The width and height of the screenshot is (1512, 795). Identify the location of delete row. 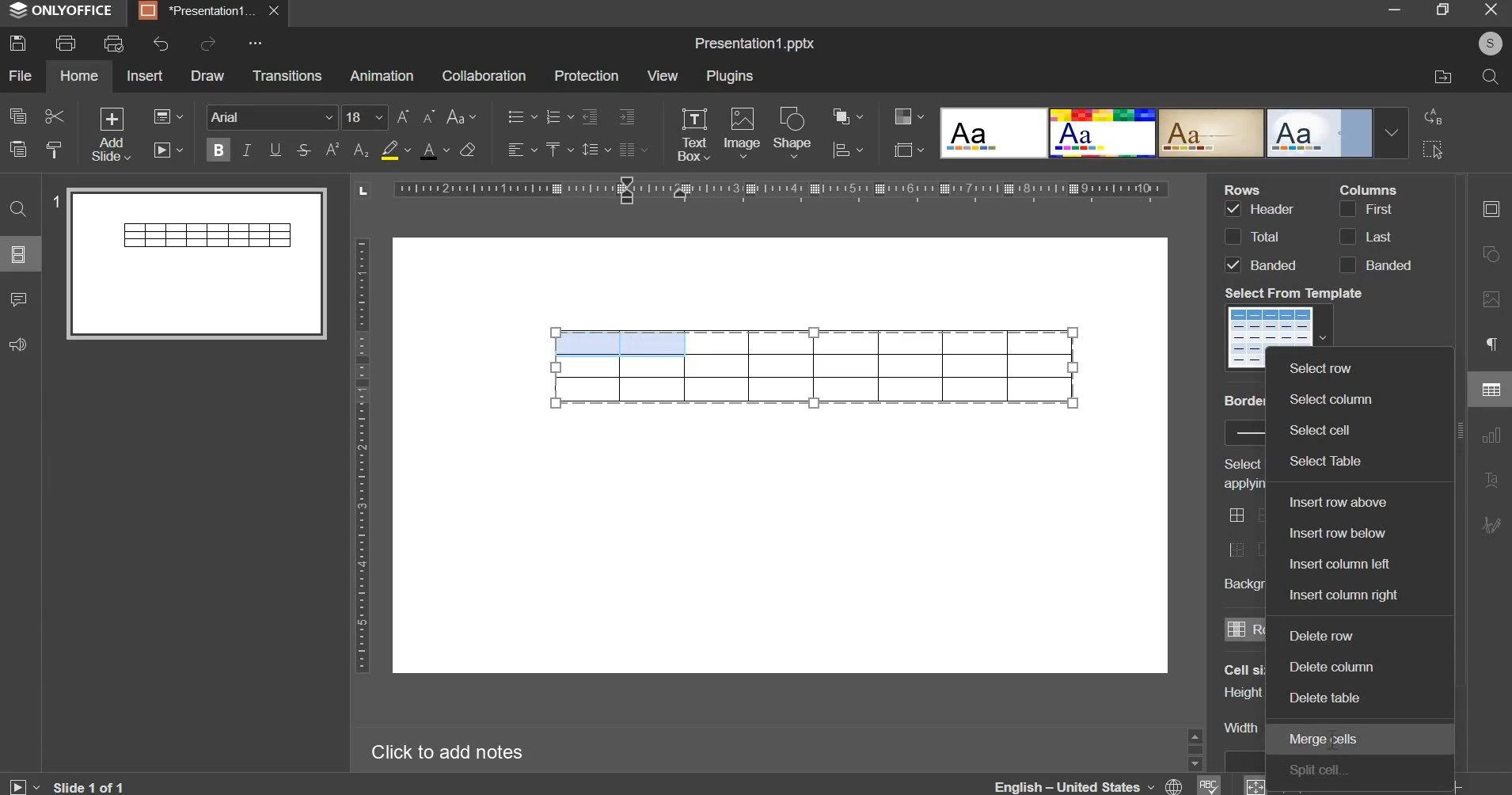
(1322, 637).